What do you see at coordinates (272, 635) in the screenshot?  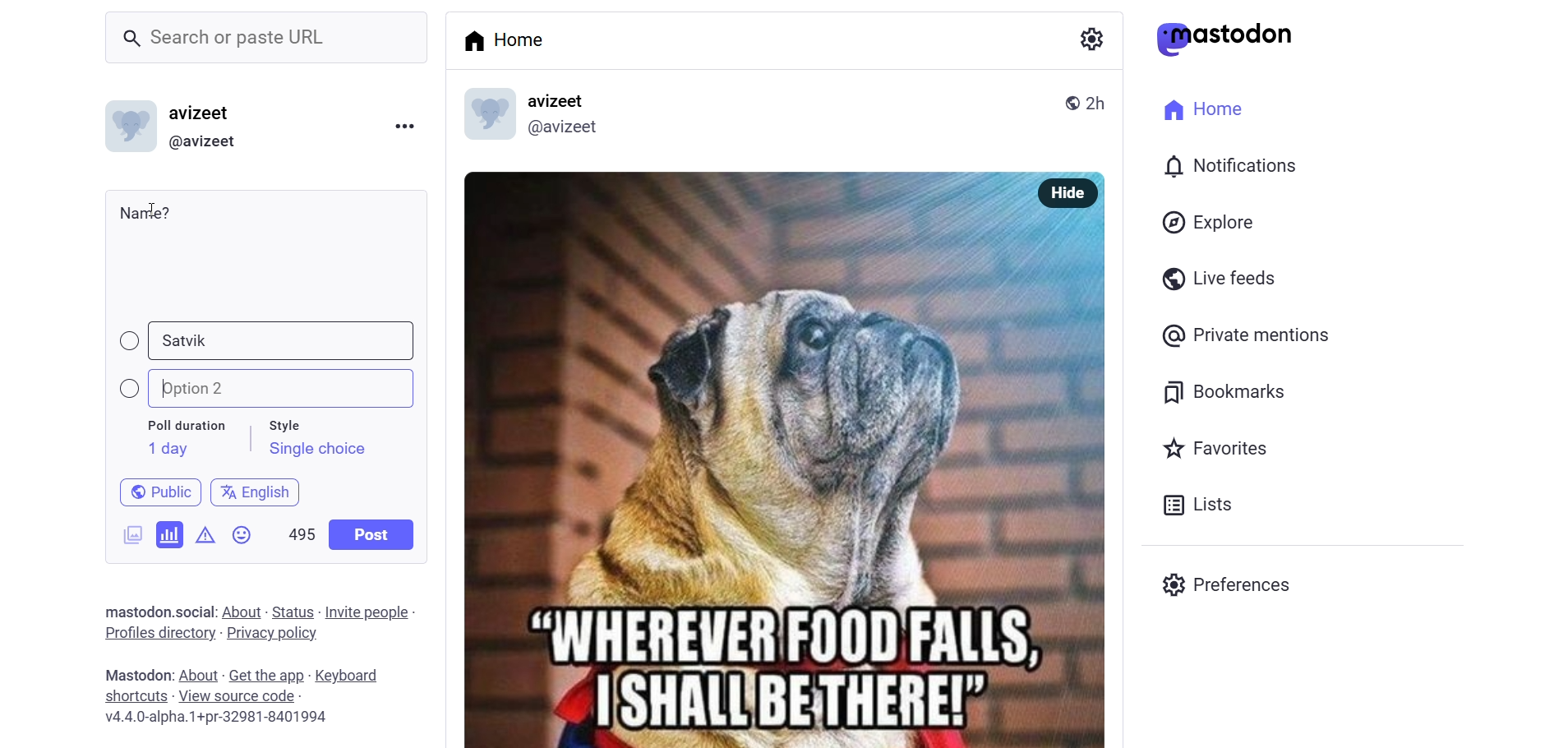 I see `privacy policy` at bounding box center [272, 635].